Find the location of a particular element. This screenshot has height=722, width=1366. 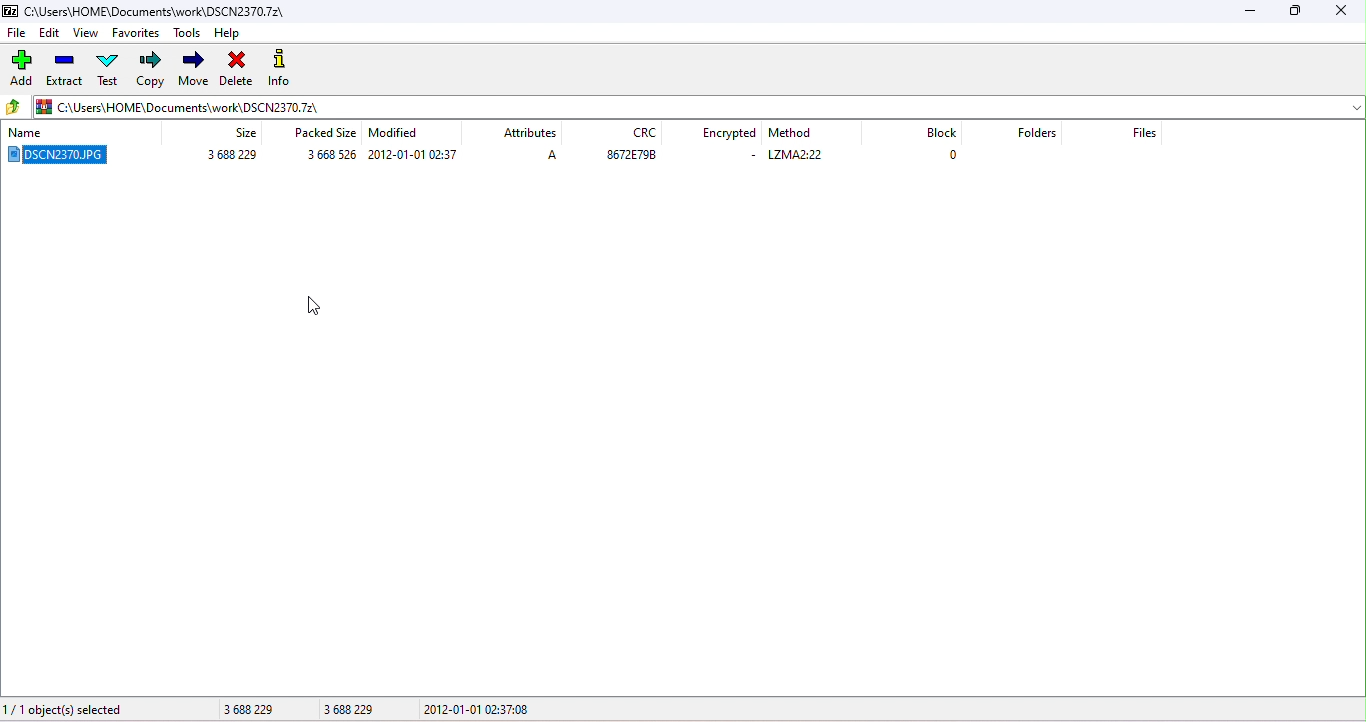

attributes is located at coordinates (531, 132).